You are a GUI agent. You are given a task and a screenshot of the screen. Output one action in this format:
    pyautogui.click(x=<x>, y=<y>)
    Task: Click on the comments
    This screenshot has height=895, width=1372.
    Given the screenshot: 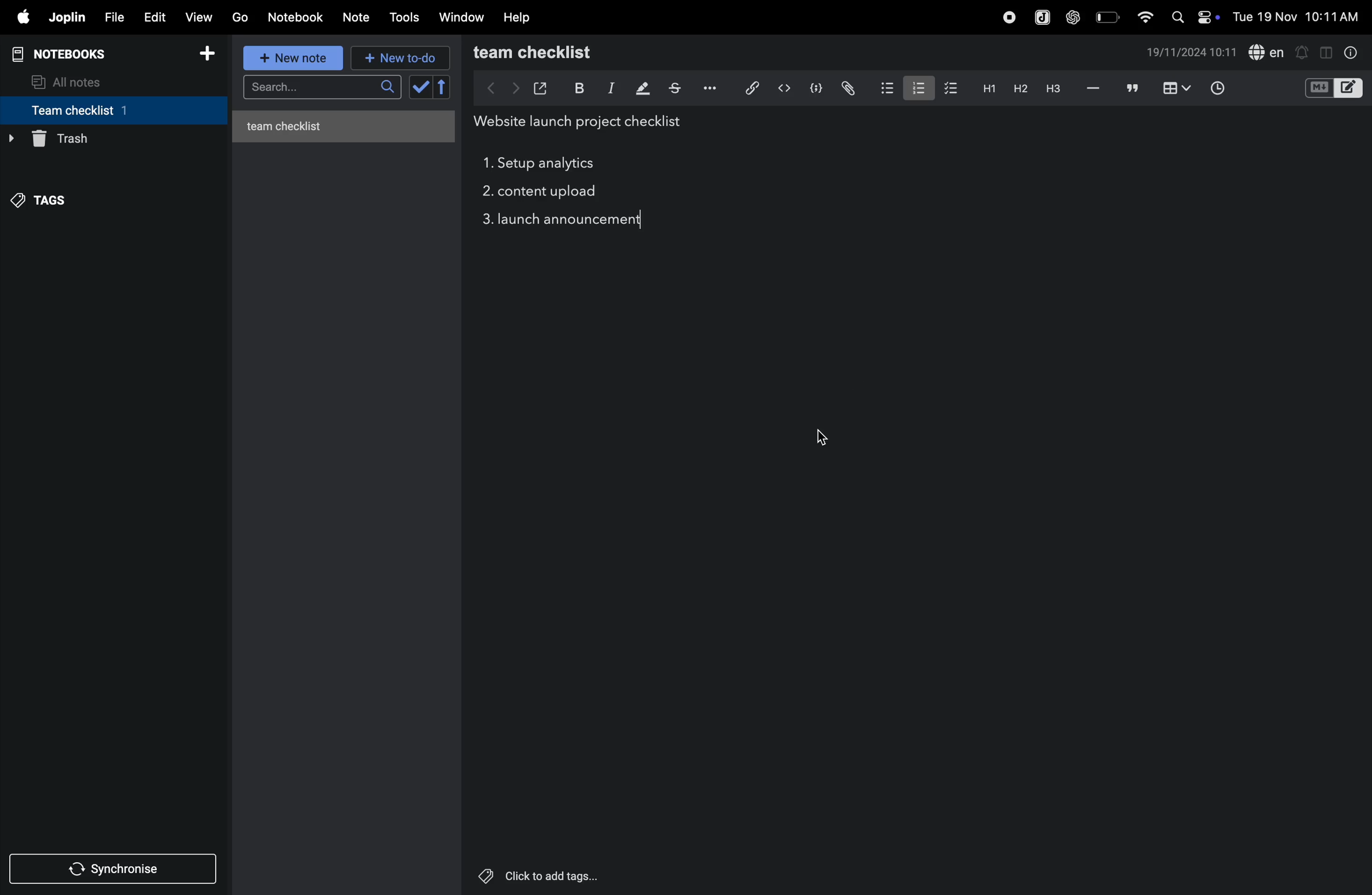 What is the action you would take?
    pyautogui.click(x=1130, y=89)
    